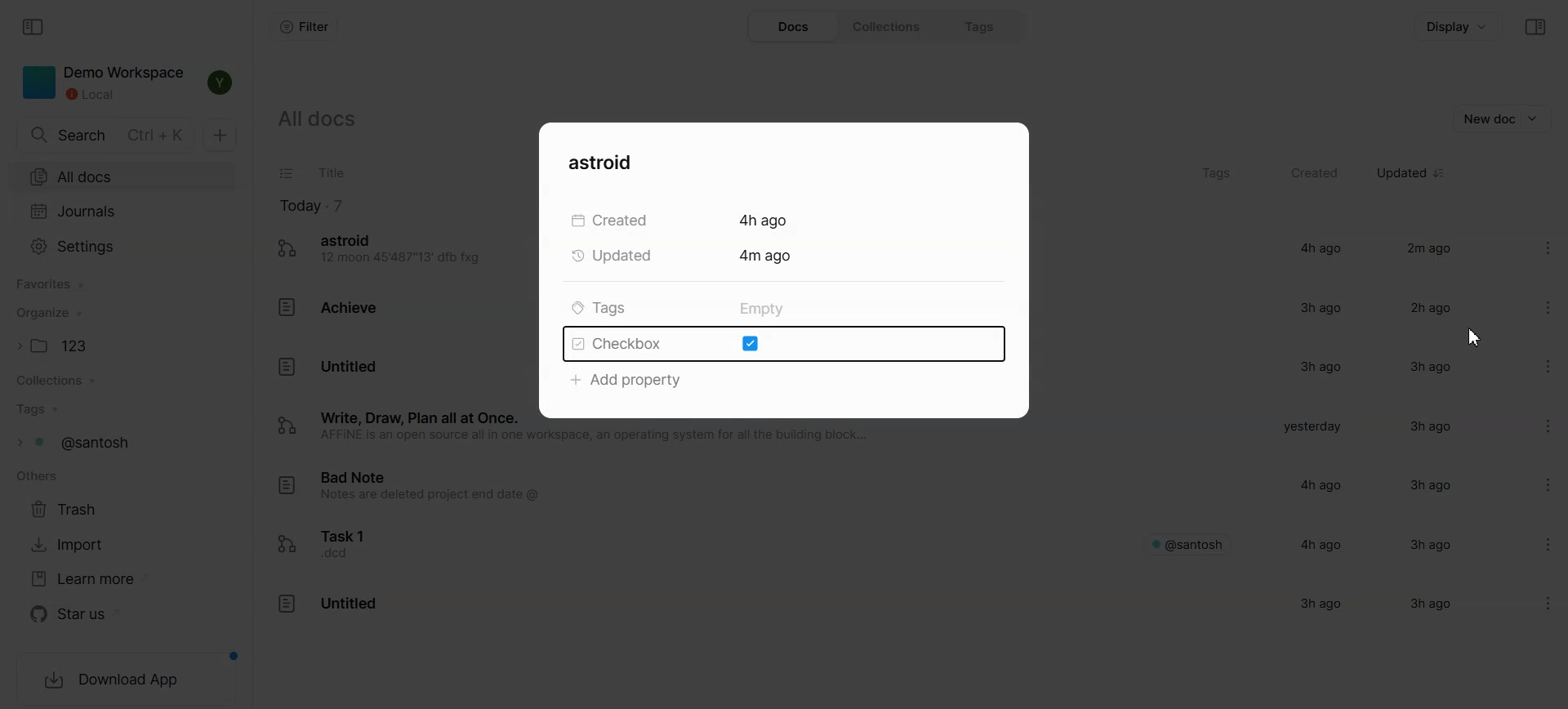 The image size is (1568, 709). I want to click on Settings, so click(1533, 425).